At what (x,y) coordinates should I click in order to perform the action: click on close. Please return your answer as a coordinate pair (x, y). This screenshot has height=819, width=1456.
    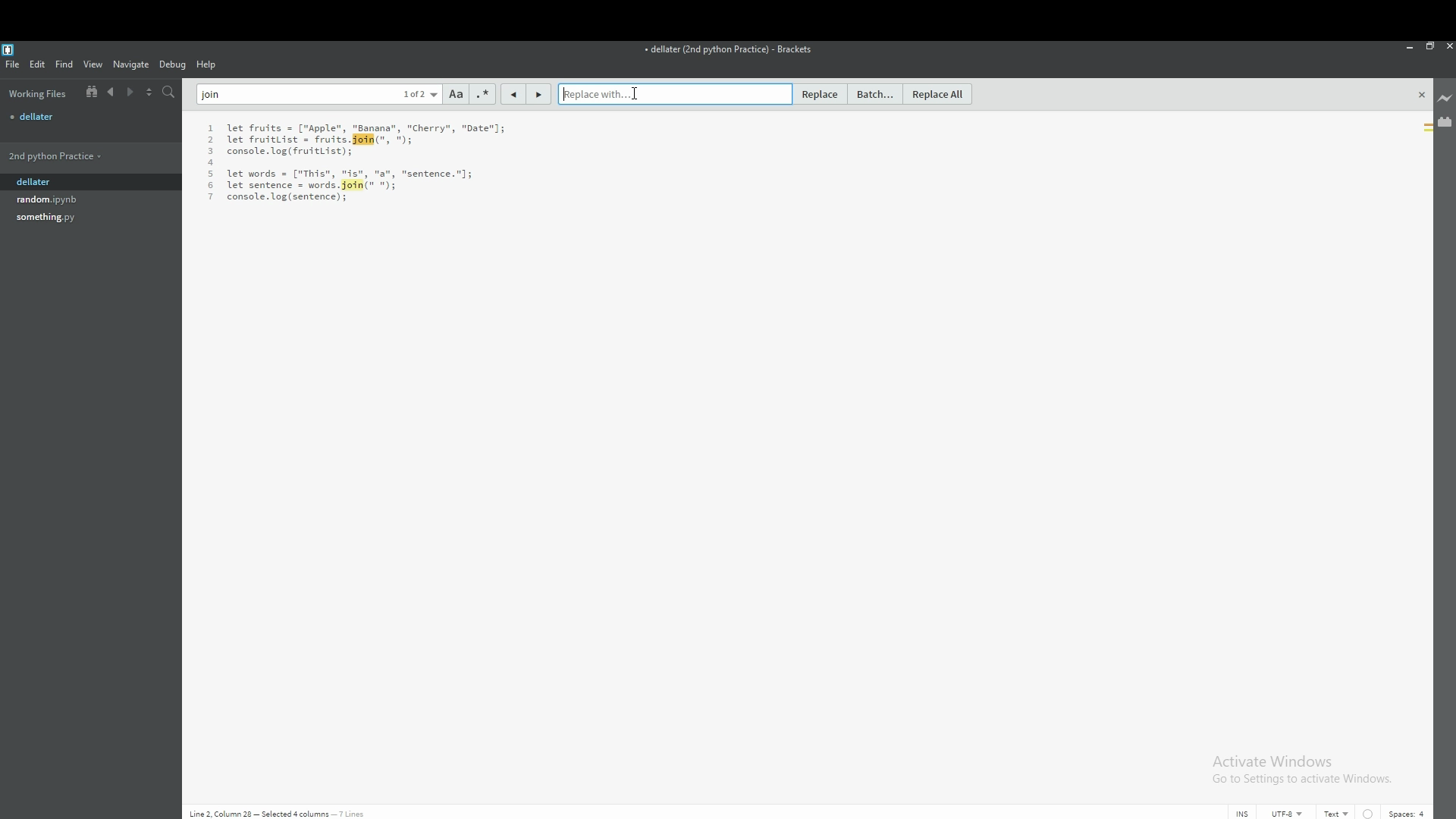
    Looking at the image, I should click on (1421, 95).